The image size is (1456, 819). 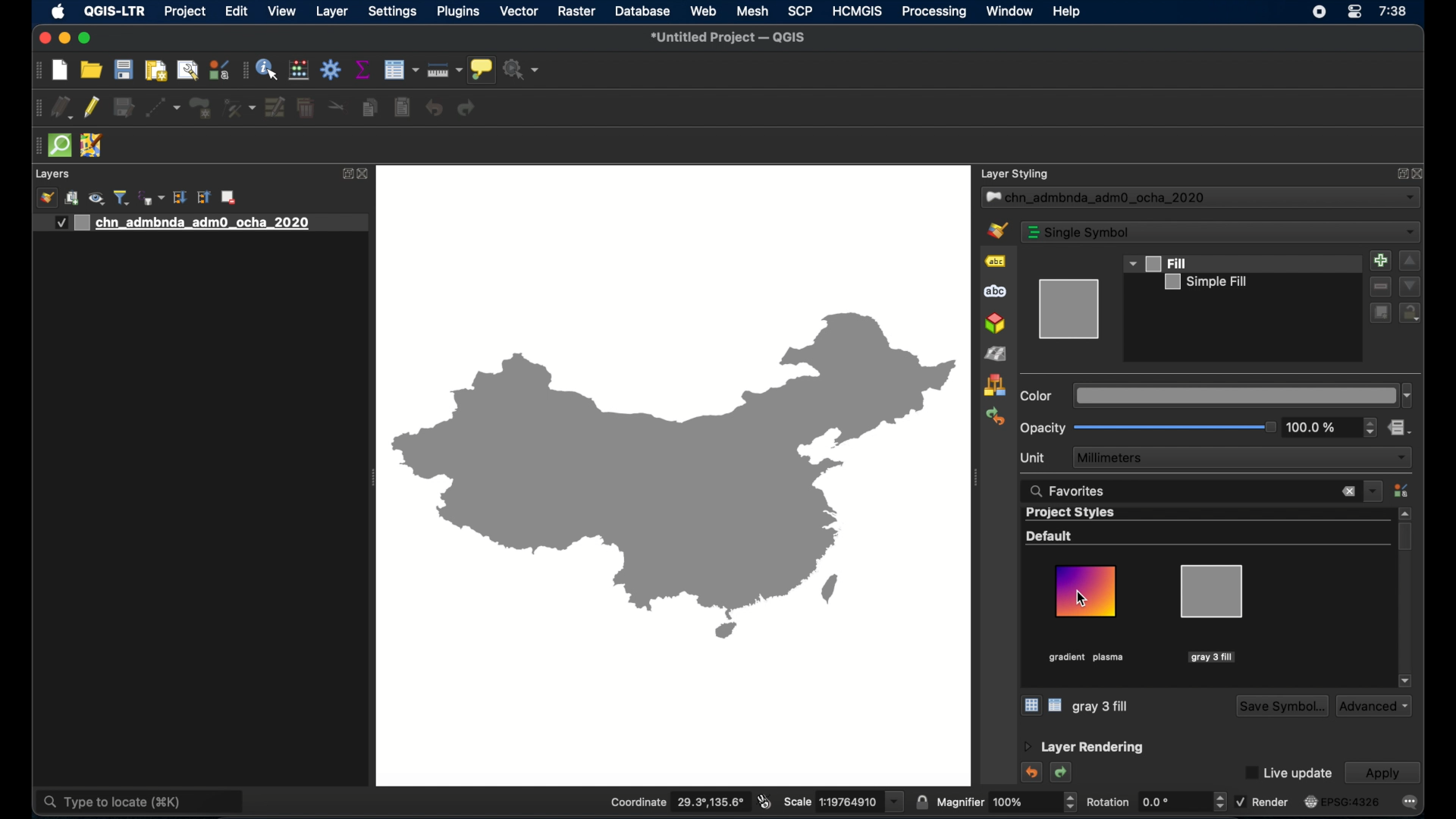 What do you see at coordinates (347, 173) in the screenshot?
I see `expand` at bounding box center [347, 173].